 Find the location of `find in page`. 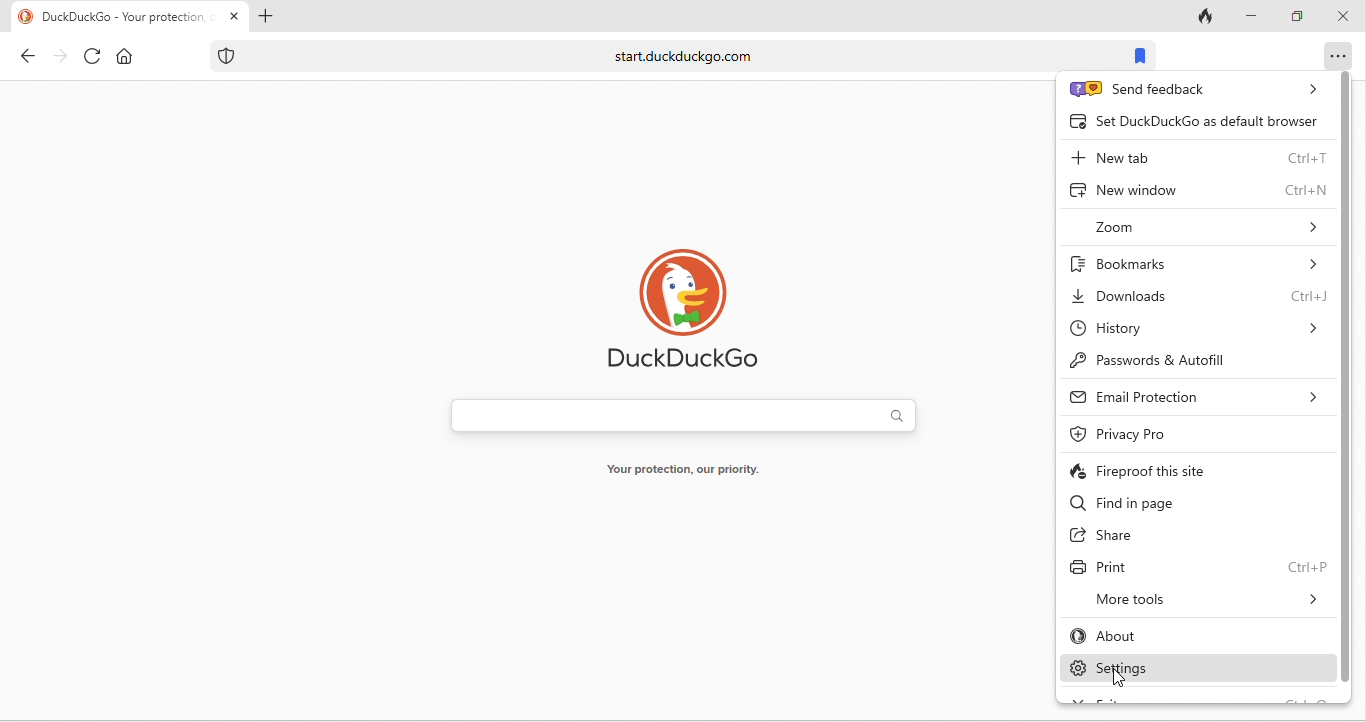

find in page is located at coordinates (1163, 503).